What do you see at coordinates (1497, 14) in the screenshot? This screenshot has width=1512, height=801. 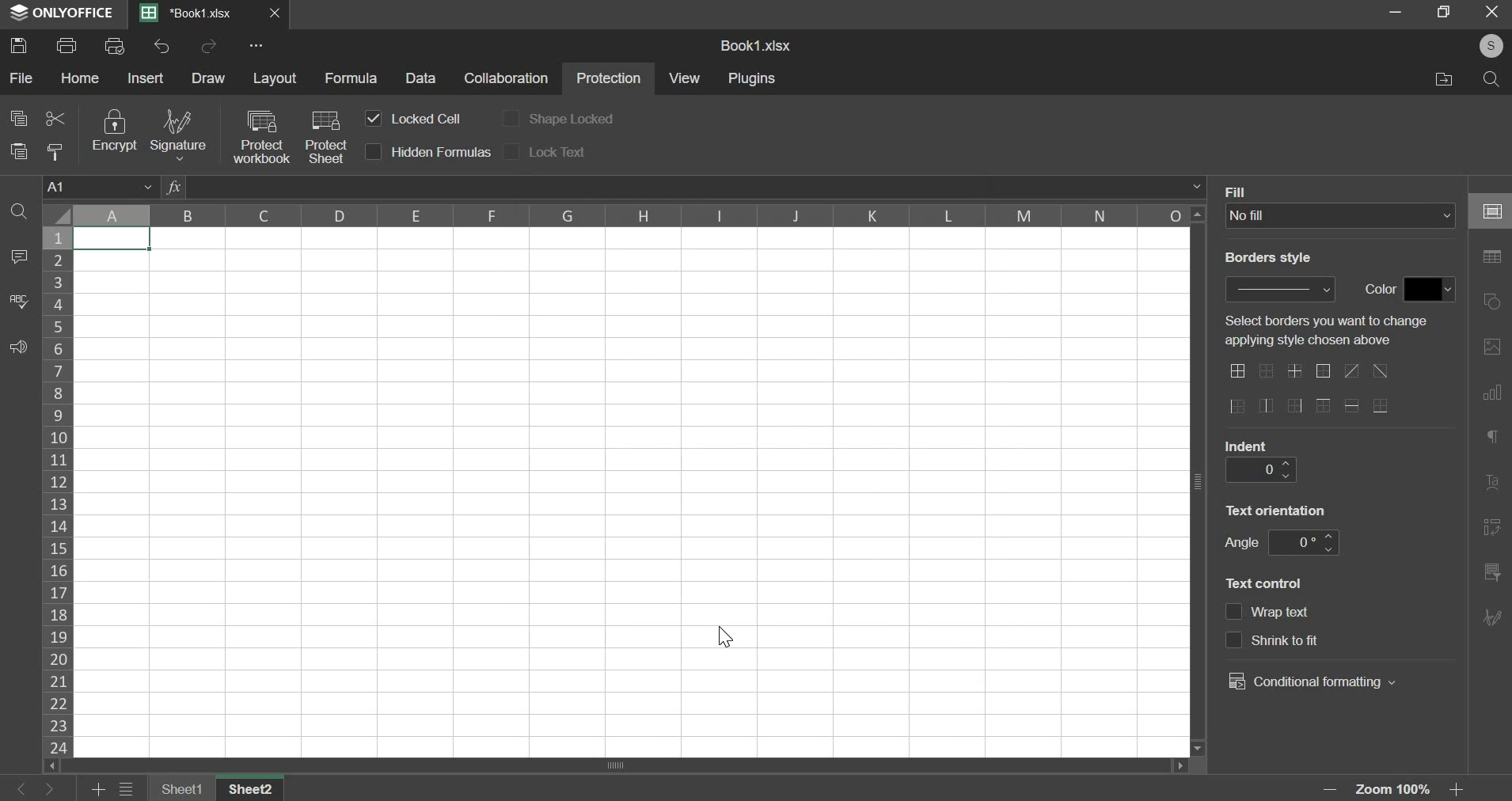 I see `Cancel` at bounding box center [1497, 14].